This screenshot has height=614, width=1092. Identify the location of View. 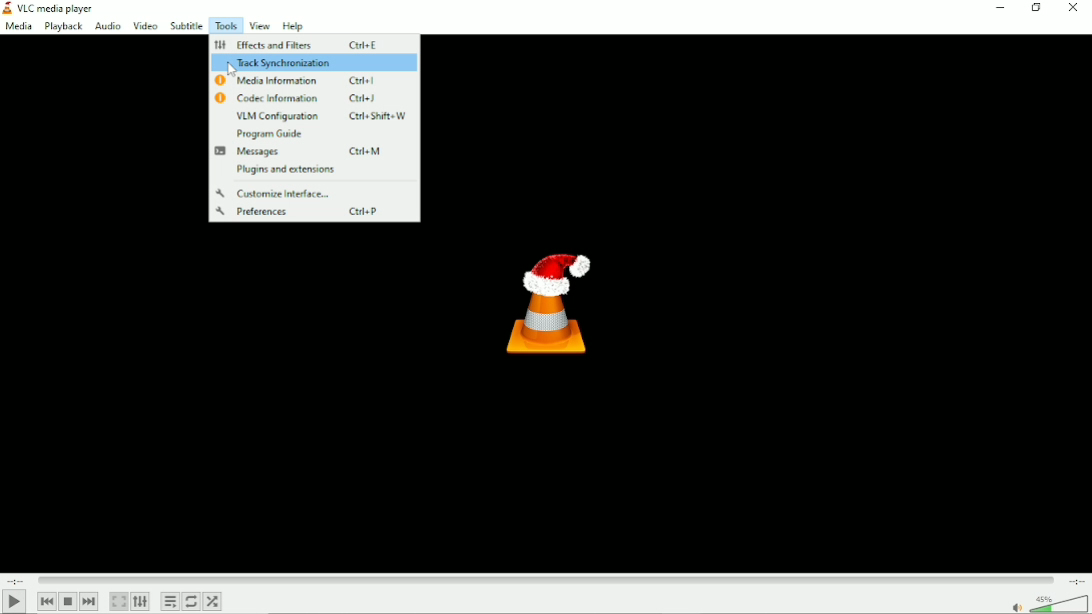
(261, 26).